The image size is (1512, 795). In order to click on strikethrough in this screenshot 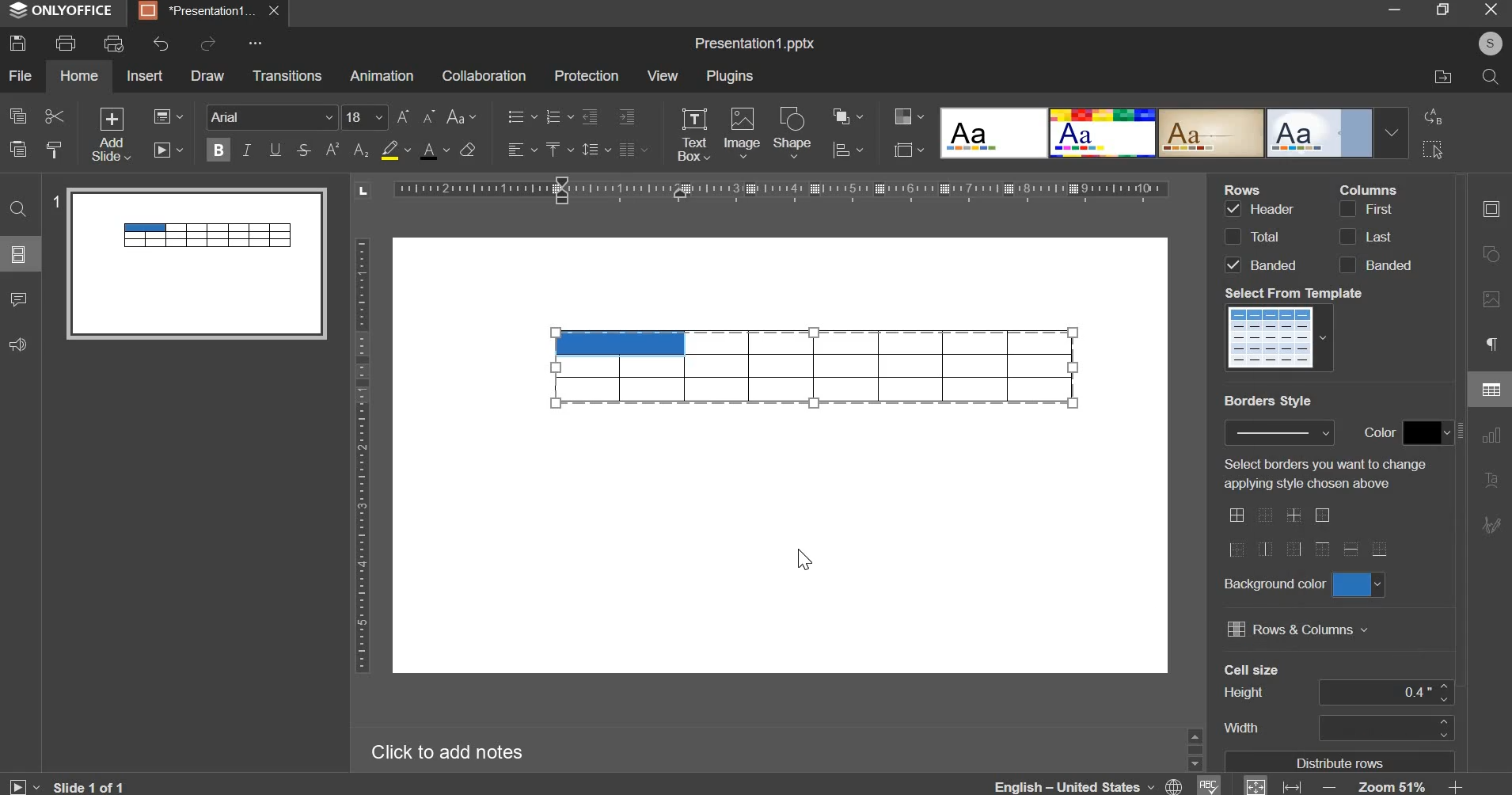, I will do `click(302, 150)`.